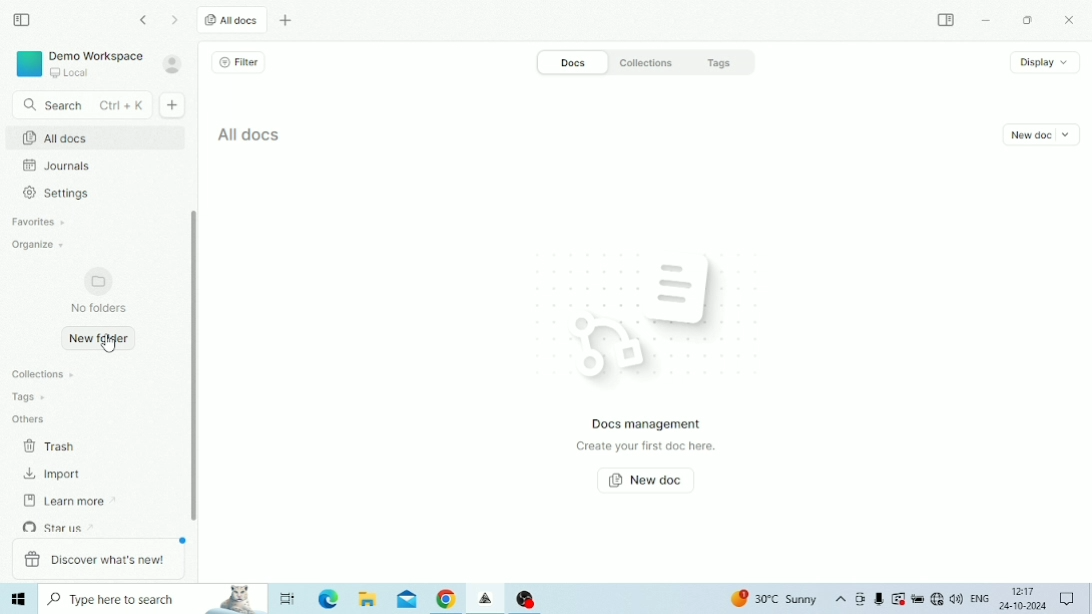 This screenshot has height=614, width=1092. Describe the element at coordinates (62, 527) in the screenshot. I see `Star us` at that location.